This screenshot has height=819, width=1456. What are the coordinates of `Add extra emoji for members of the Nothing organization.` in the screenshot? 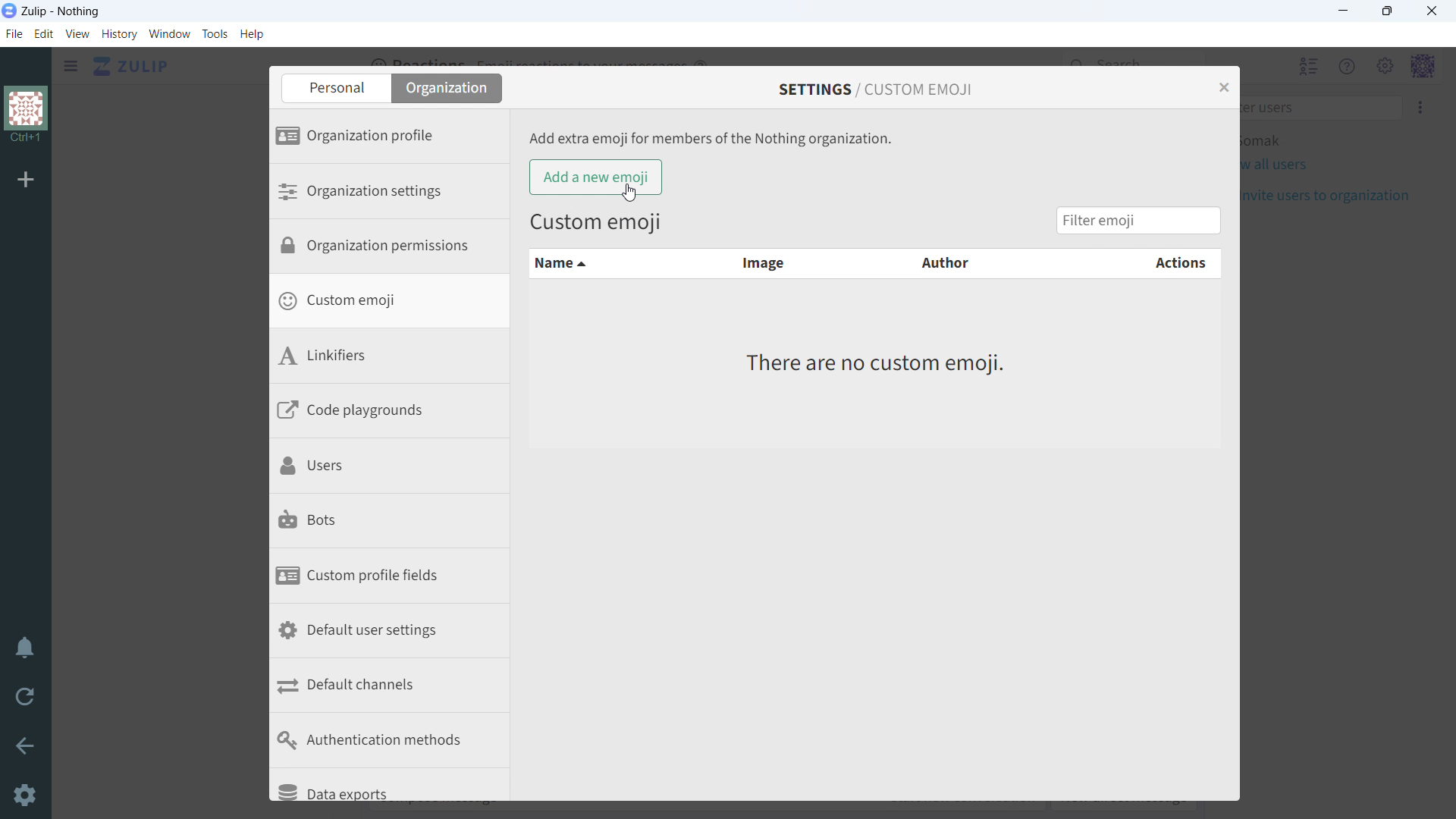 It's located at (711, 139).